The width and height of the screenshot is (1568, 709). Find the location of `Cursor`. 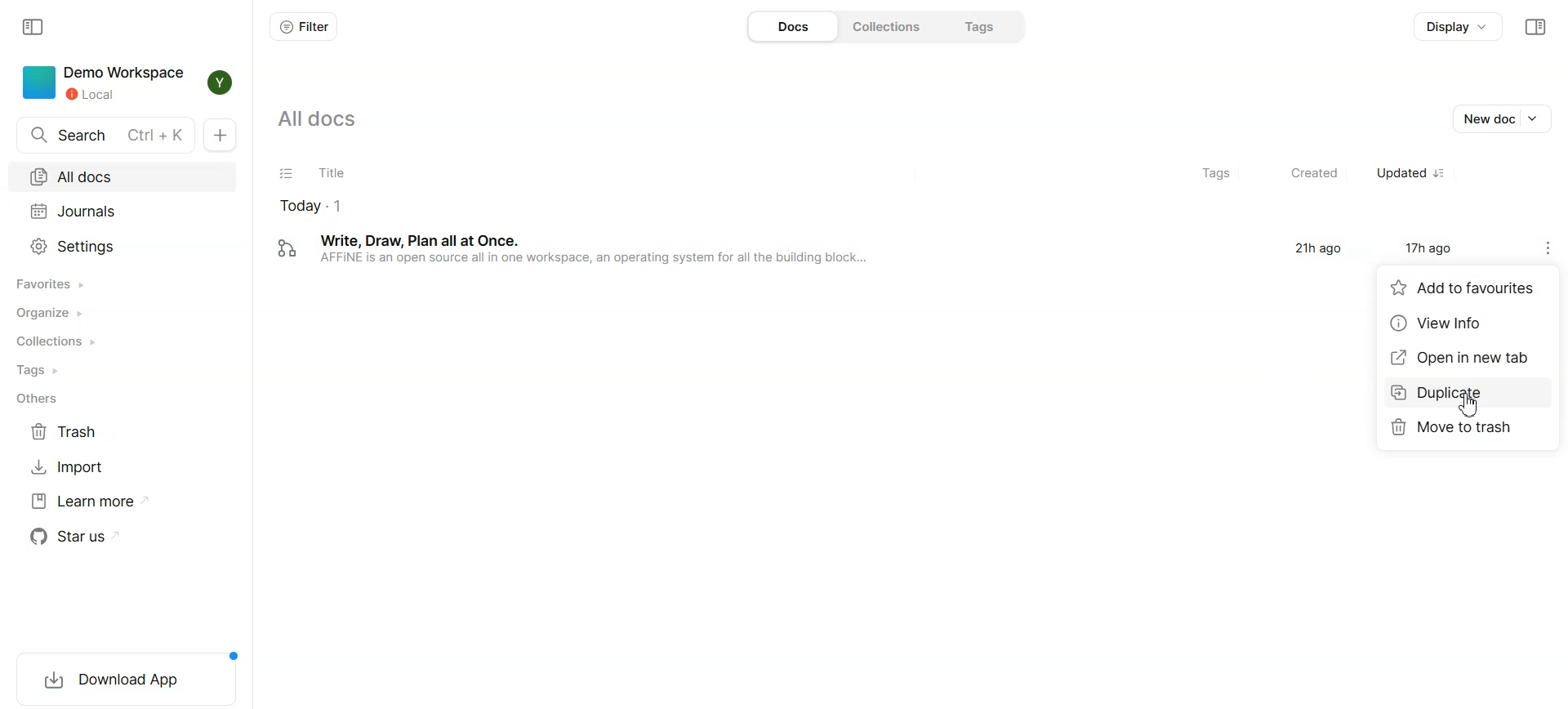

Cursor is located at coordinates (1469, 405).